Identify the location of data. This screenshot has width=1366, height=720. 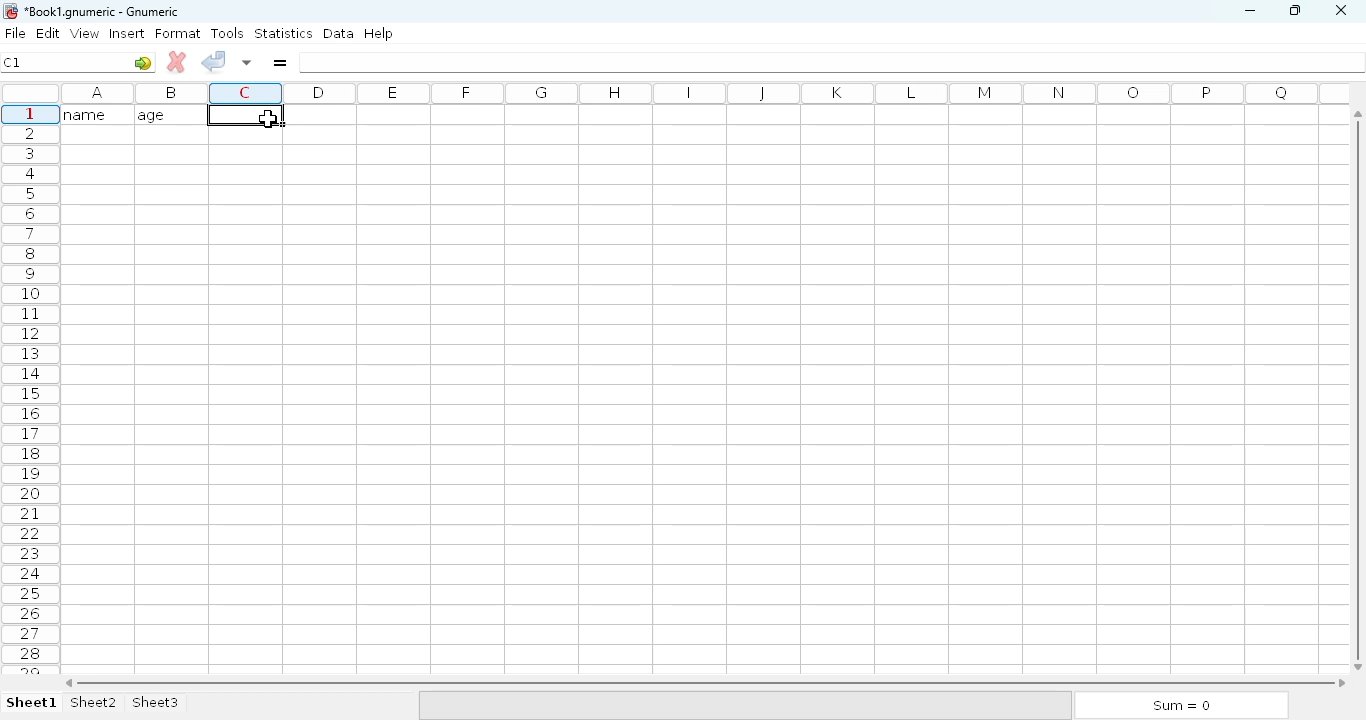
(339, 33).